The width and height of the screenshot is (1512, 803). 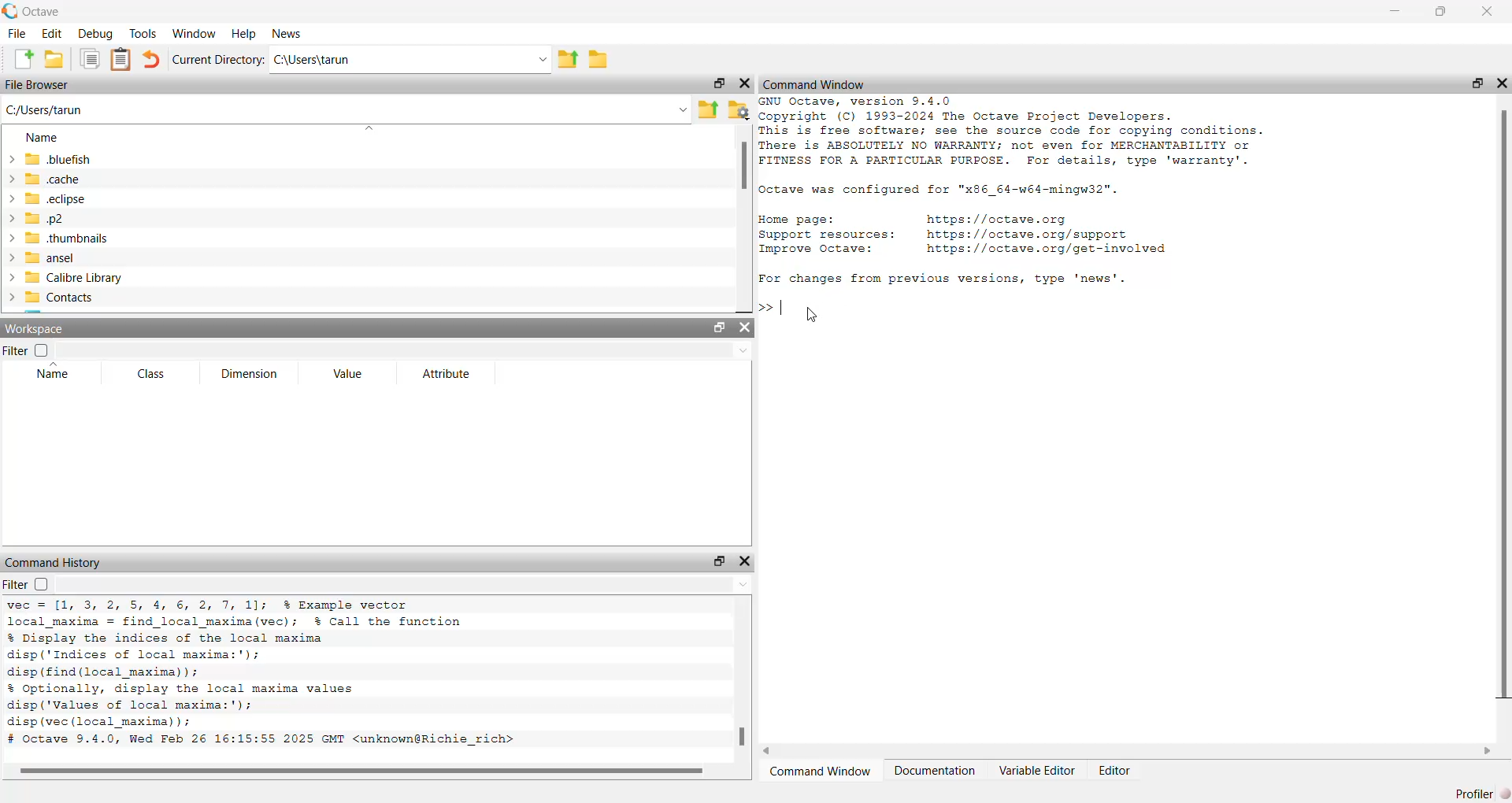 What do you see at coordinates (444, 373) in the screenshot?
I see `Attribute` at bounding box center [444, 373].